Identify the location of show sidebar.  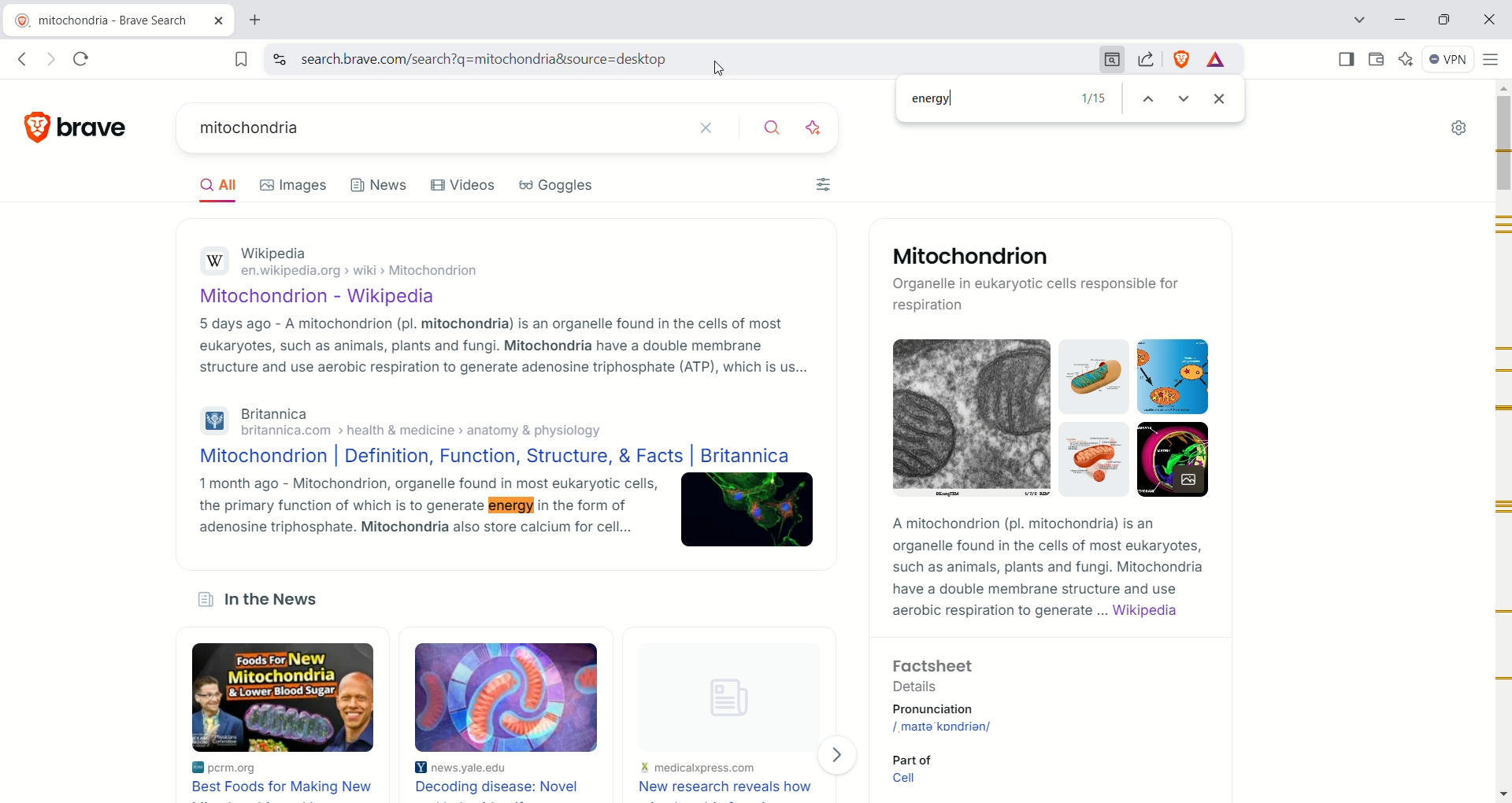
(1338, 60).